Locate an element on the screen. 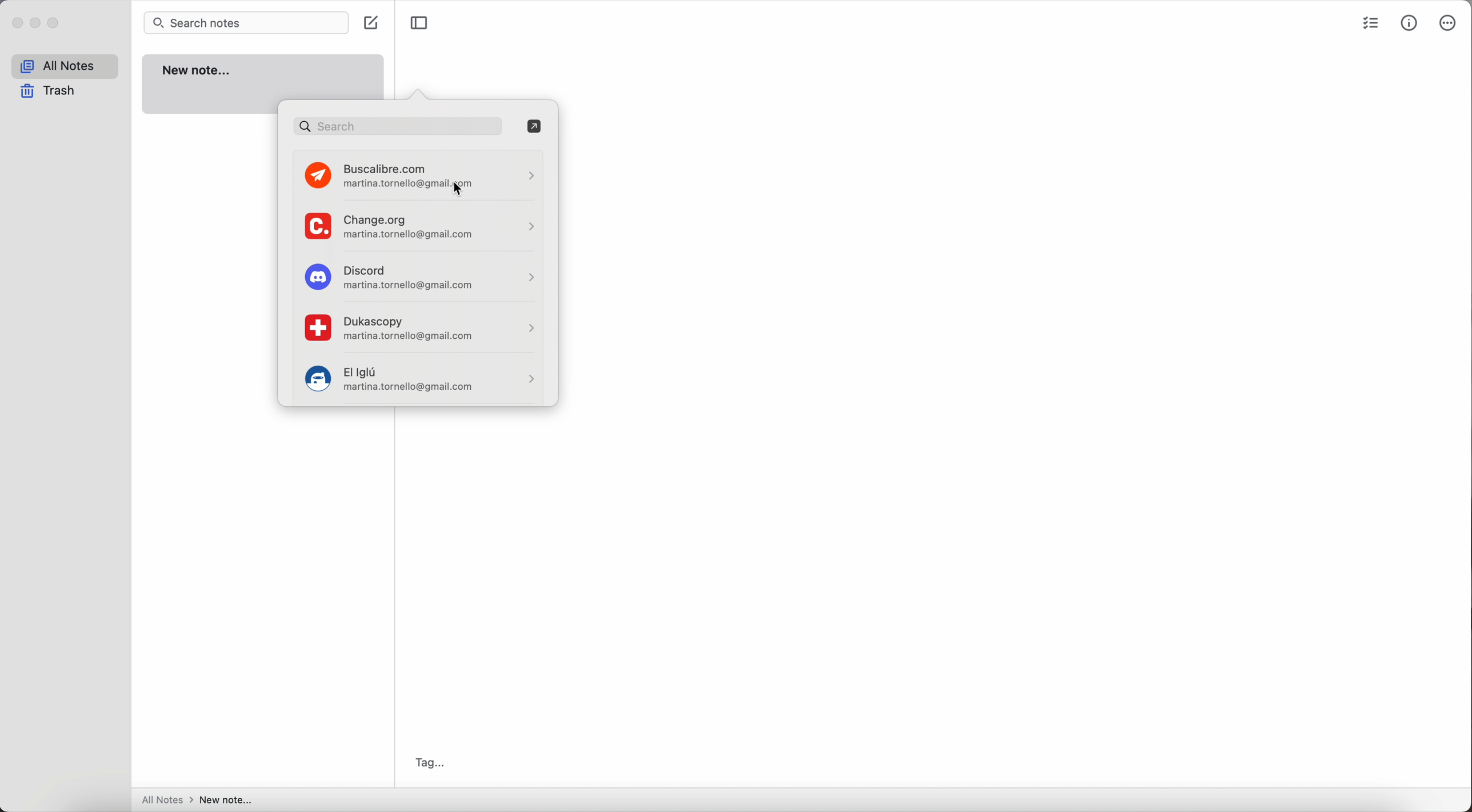 Image resolution: width=1472 pixels, height=812 pixels. maximize is located at coordinates (55, 23).